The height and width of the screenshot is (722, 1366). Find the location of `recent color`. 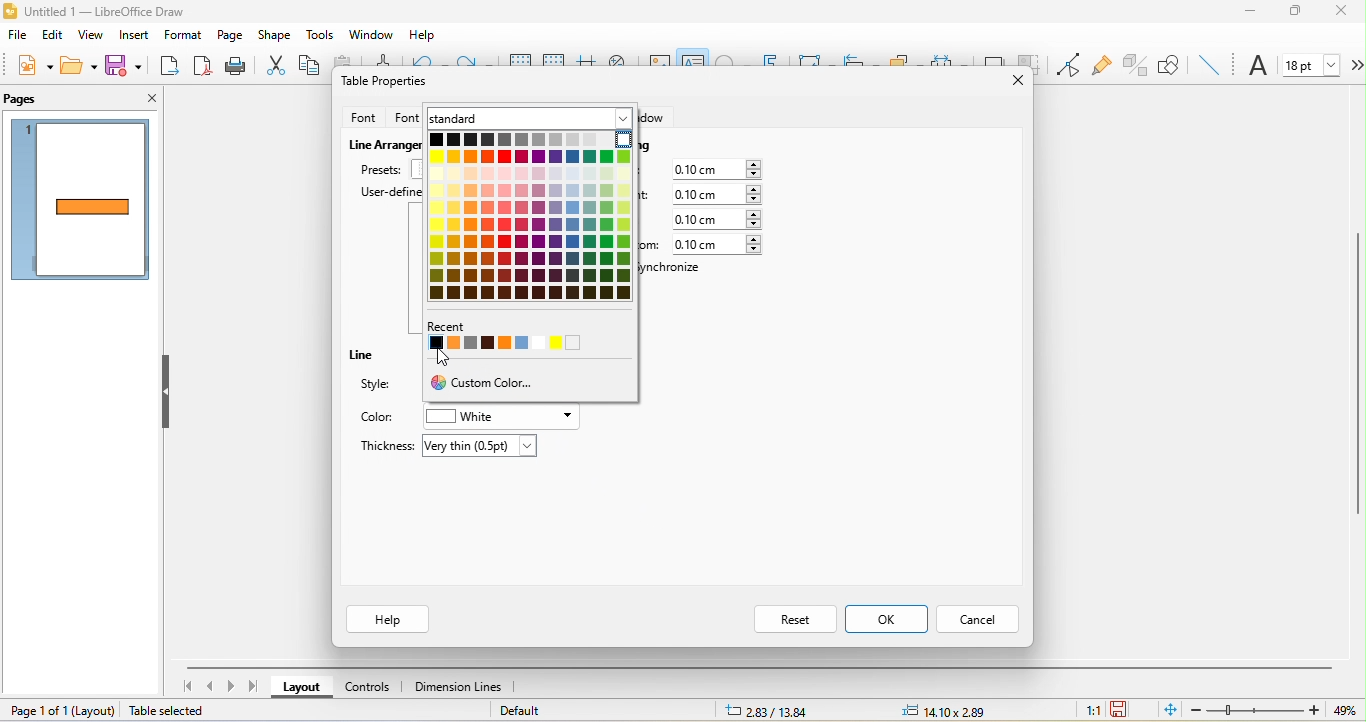

recent color is located at coordinates (519, 345).